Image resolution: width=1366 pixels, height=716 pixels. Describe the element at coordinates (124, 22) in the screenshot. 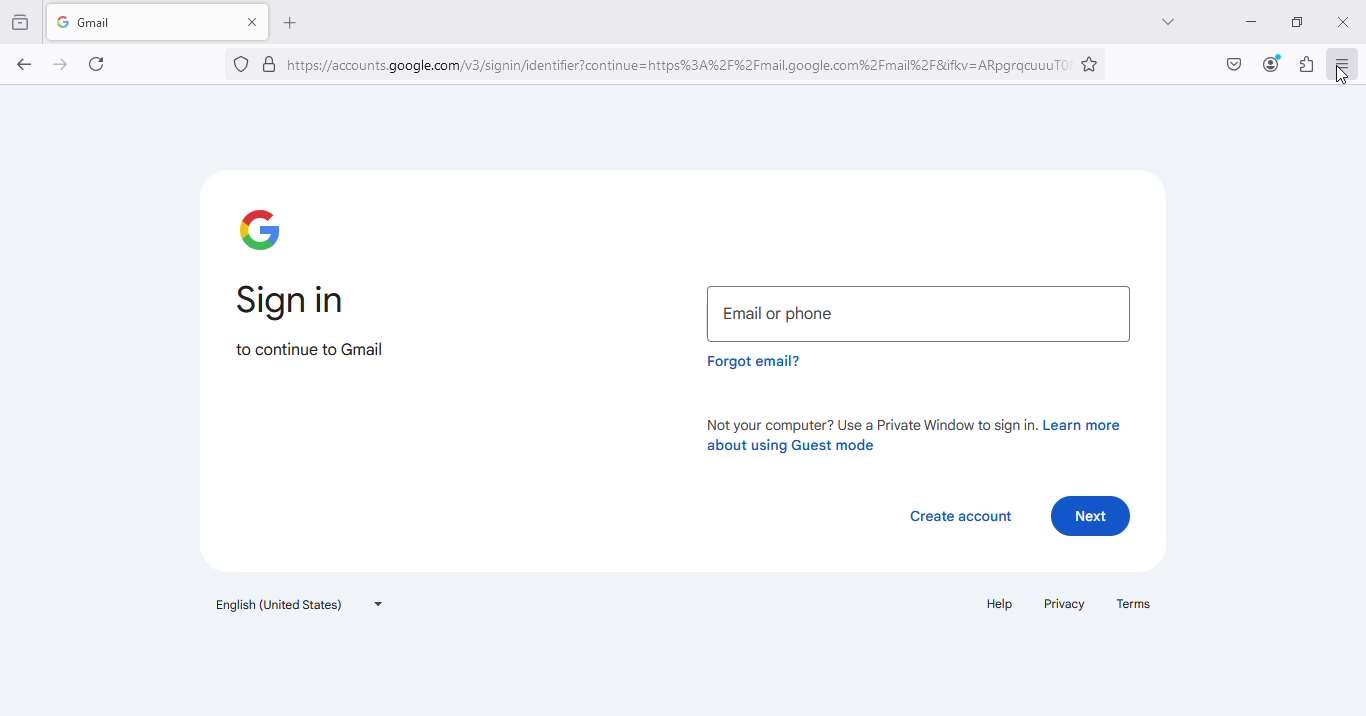

I see `gmail` at that location.